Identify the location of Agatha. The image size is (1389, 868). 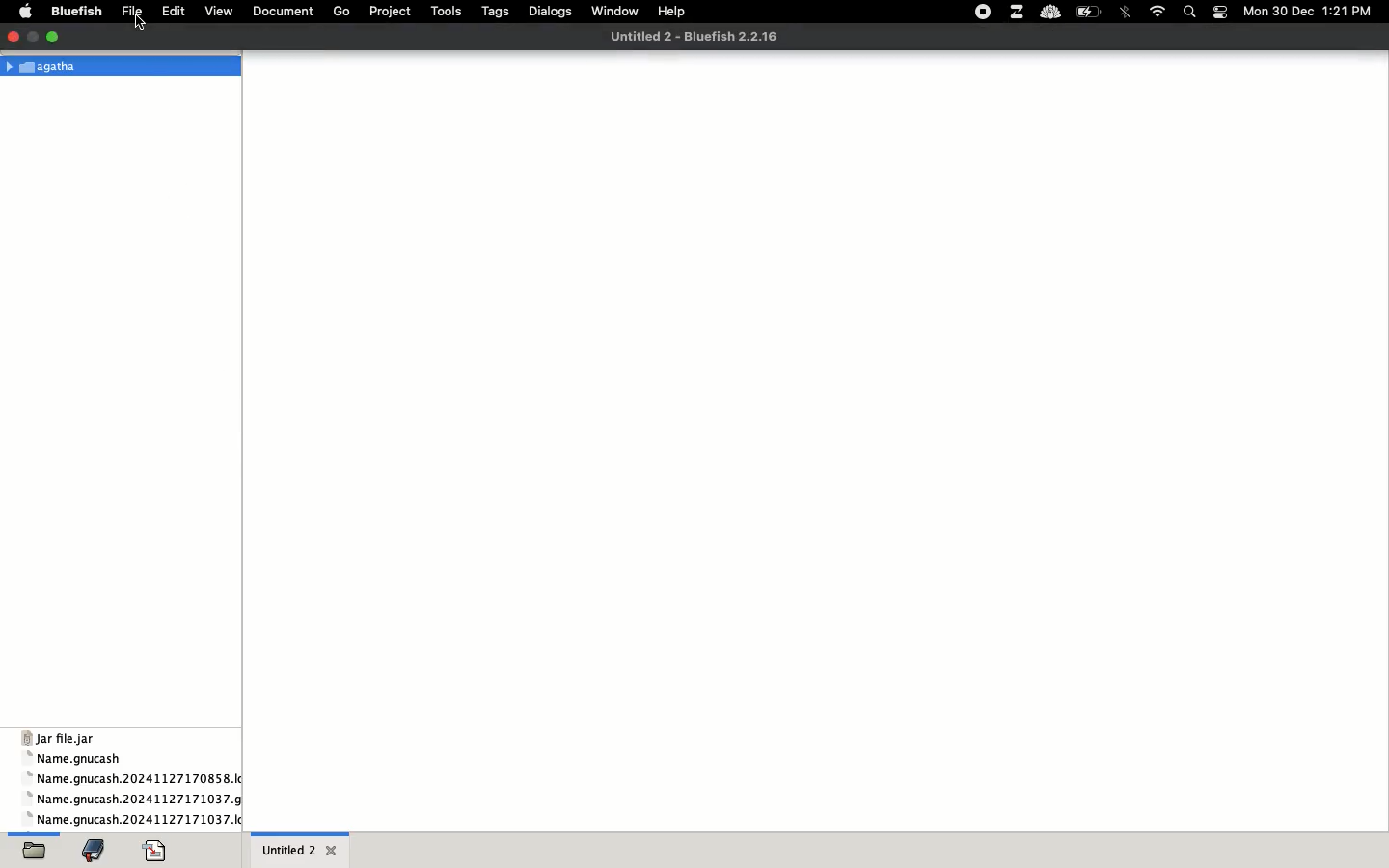
(123, 66).